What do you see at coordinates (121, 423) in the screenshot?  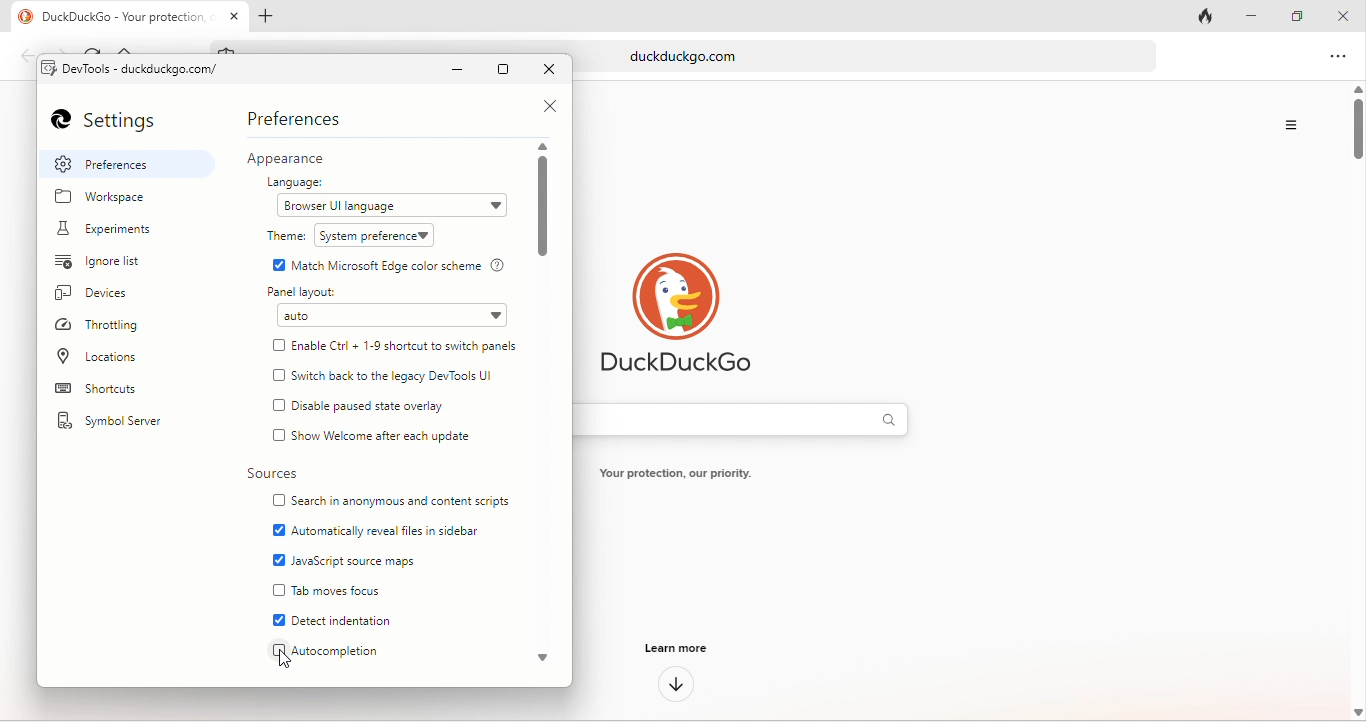 I see `symbol server` at bounding box center [121, 423].